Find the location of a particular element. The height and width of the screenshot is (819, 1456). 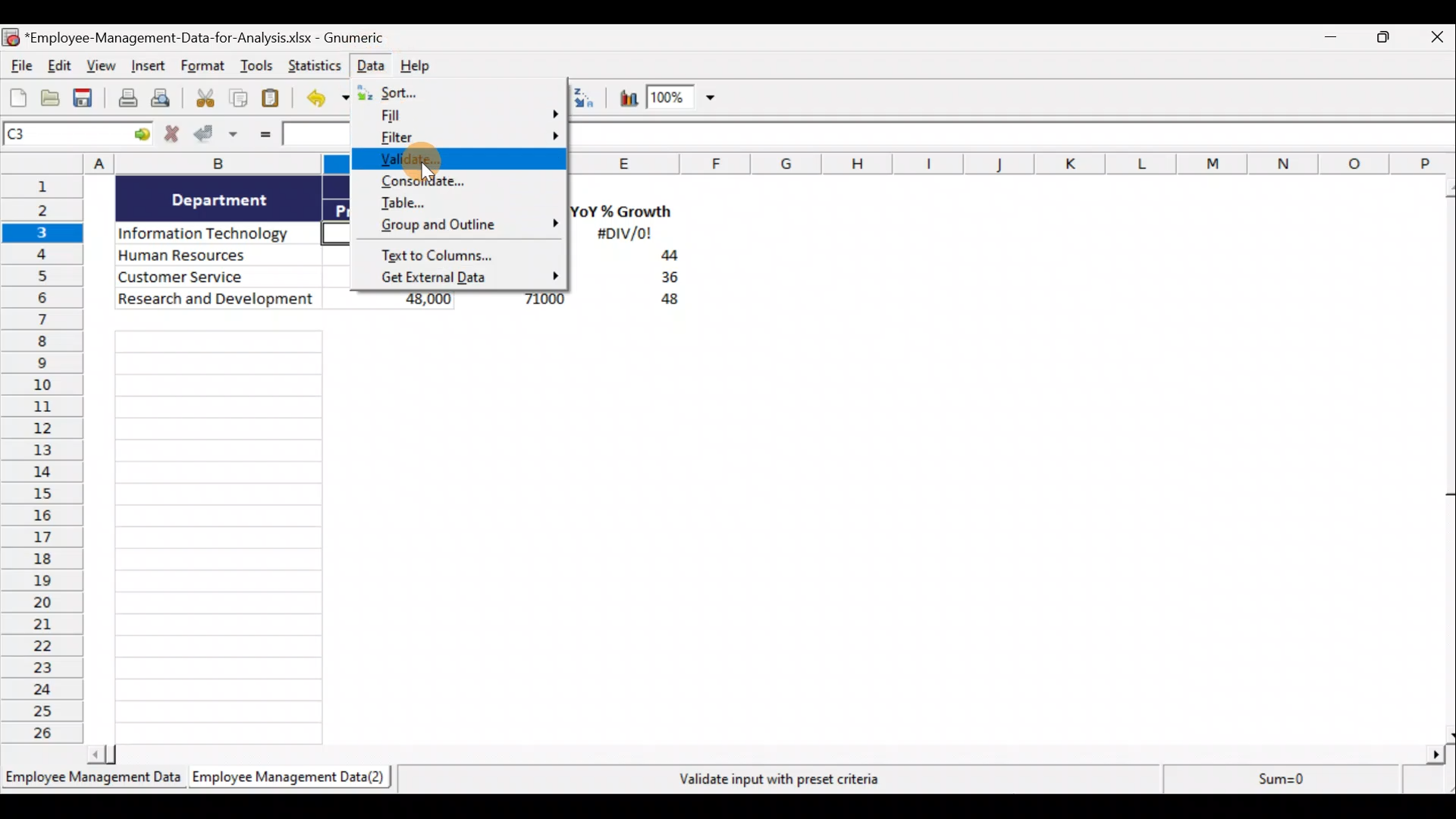

Statistics is located at coordinates (313, 65).